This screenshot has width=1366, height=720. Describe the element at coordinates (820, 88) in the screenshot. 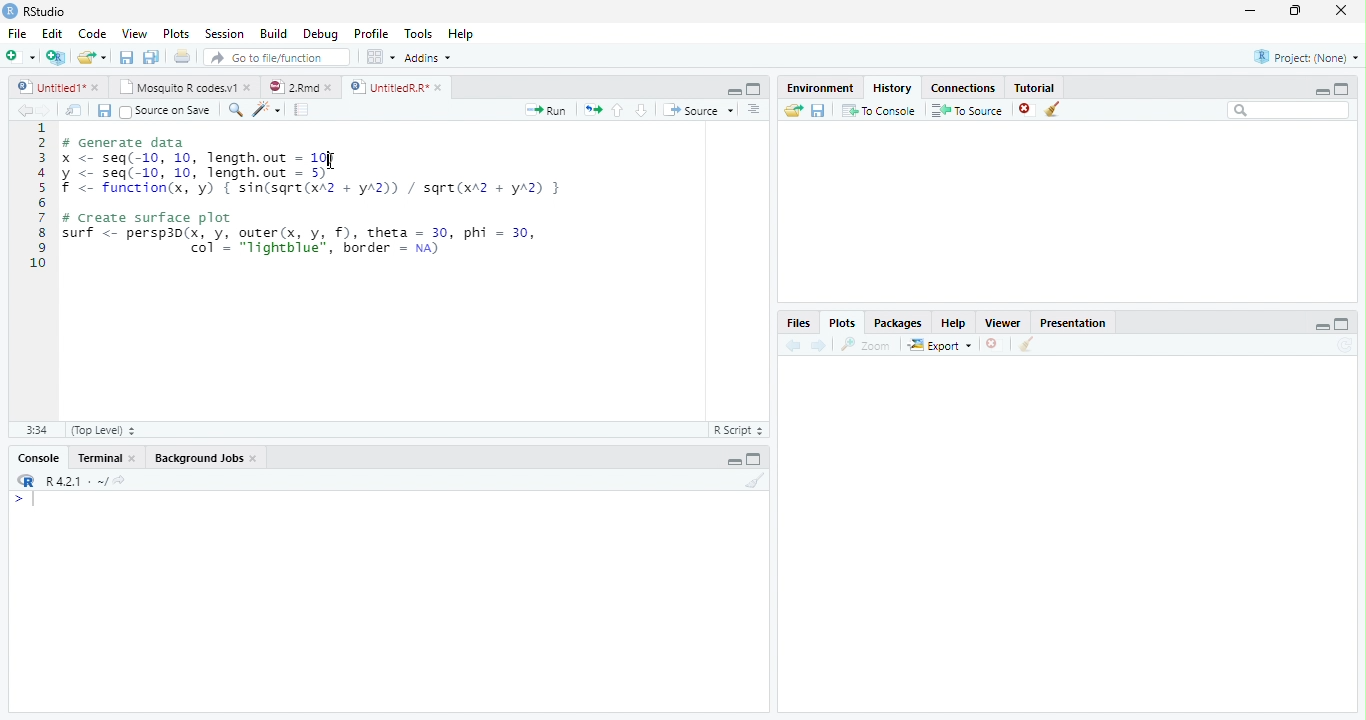

I see `Environment` at that location.